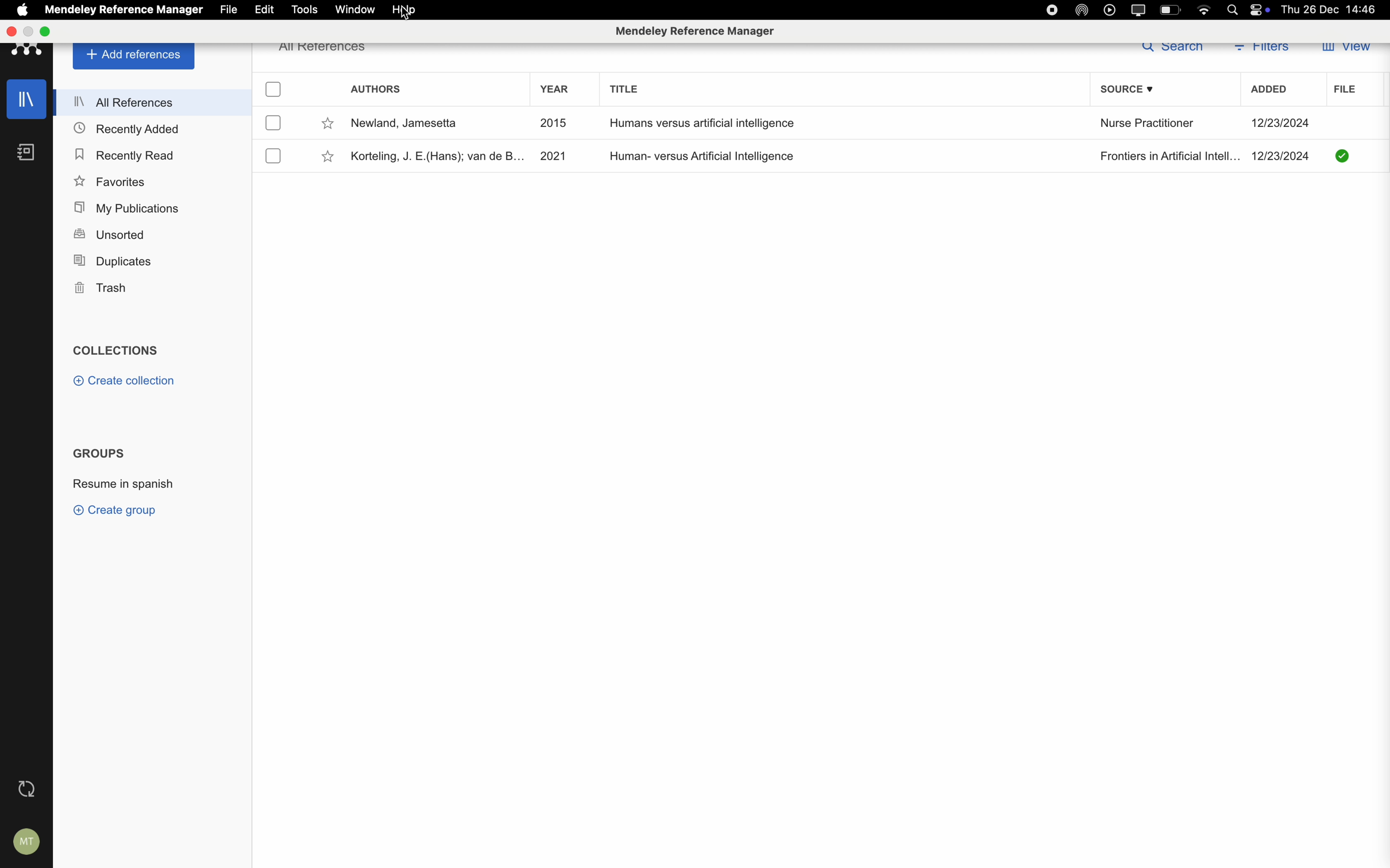  What do you see at coordinates (1129, 90) in the screenshot?
I see `source` at bounding box center [1129, 90].